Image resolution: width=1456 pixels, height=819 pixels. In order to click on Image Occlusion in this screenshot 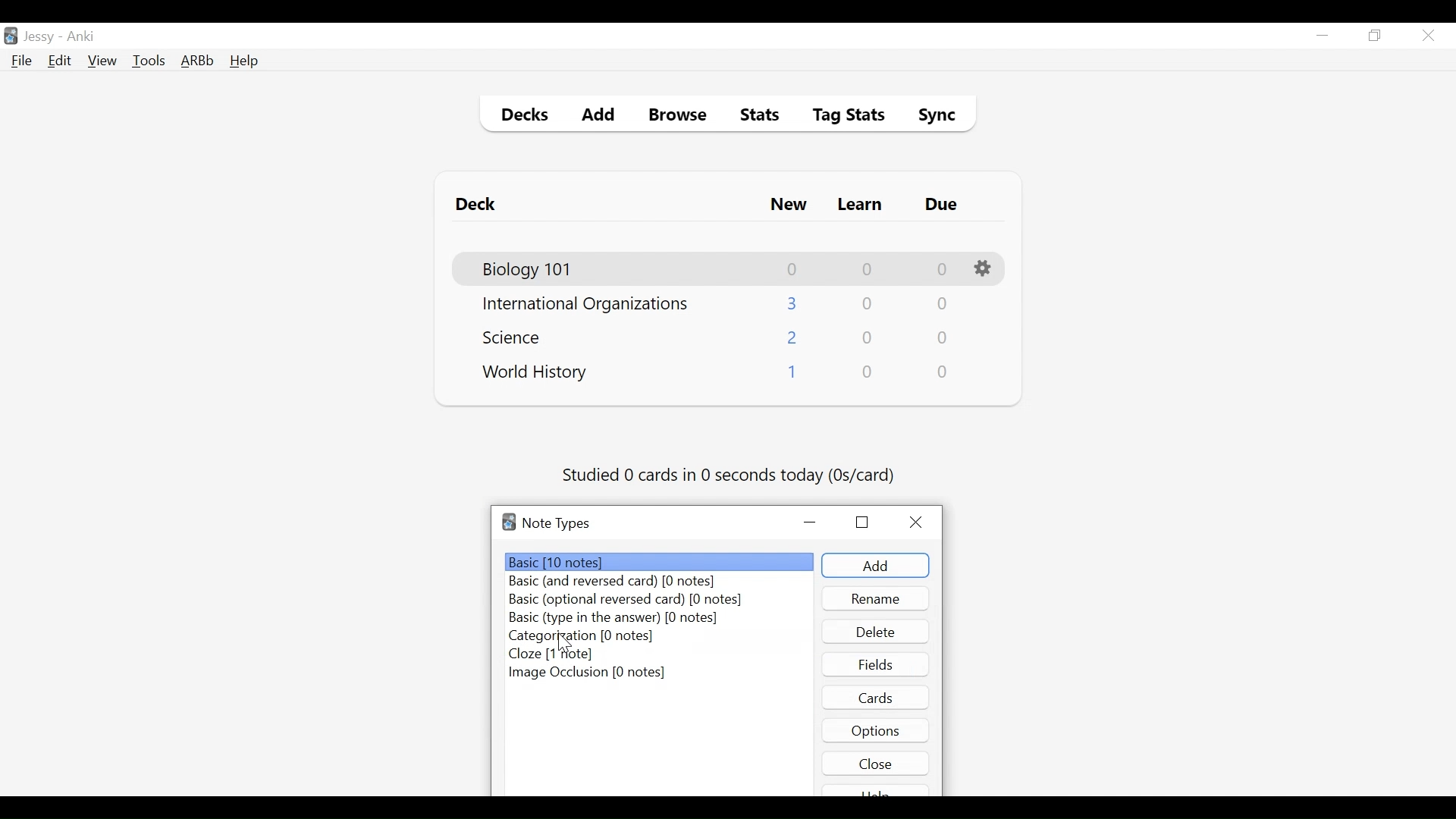, I will do `click(589, 673)`.